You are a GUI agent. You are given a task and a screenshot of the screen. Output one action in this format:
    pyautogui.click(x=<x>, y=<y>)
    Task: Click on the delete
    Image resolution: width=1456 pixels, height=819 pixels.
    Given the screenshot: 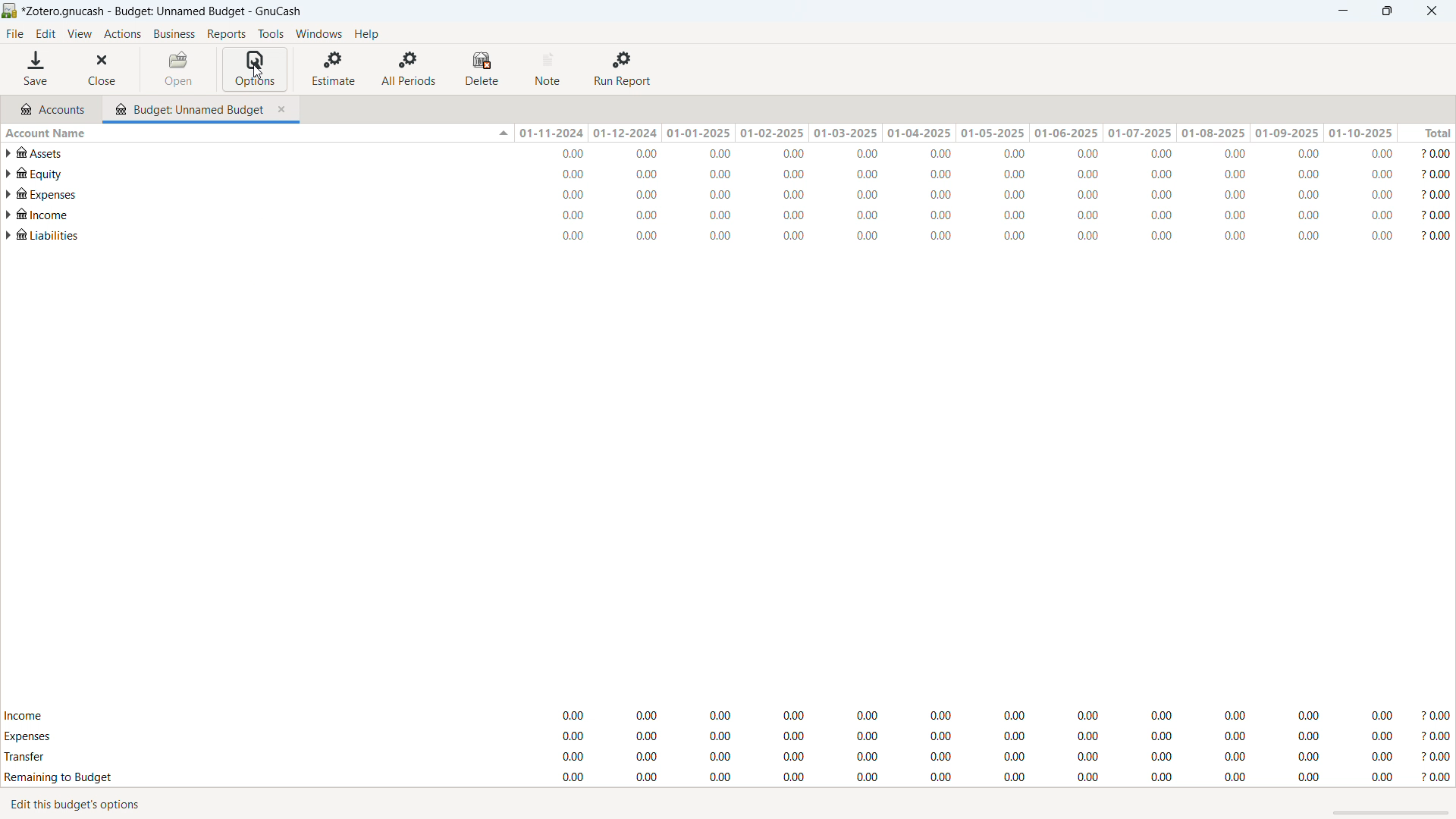 What is the action you would take?
    pyautogui.click(x=485, y=69)
    